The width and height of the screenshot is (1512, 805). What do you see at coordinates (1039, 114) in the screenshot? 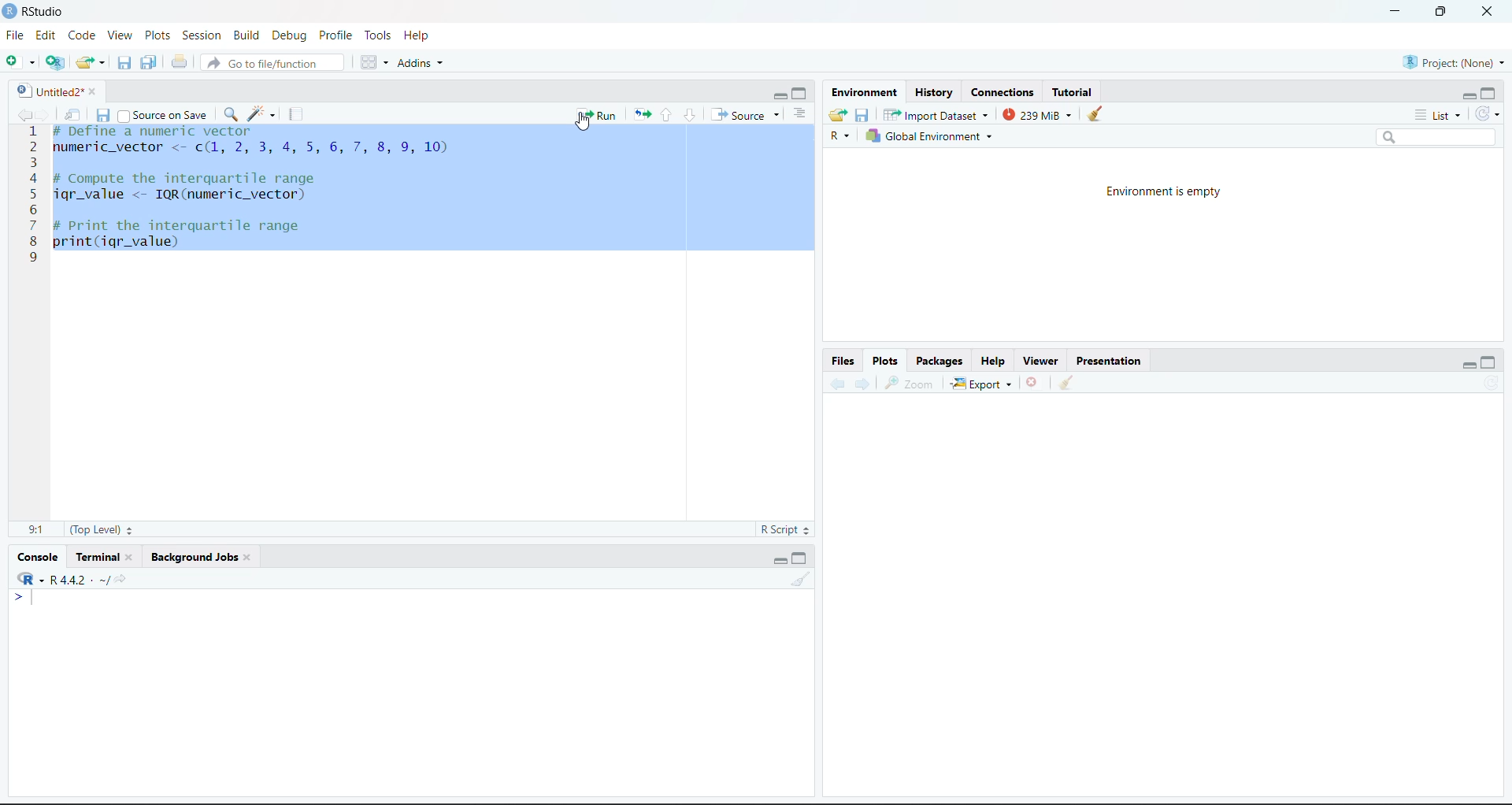
I see `239kib used by R session (Source: Windows System)` at bounding box center [1039, 114].